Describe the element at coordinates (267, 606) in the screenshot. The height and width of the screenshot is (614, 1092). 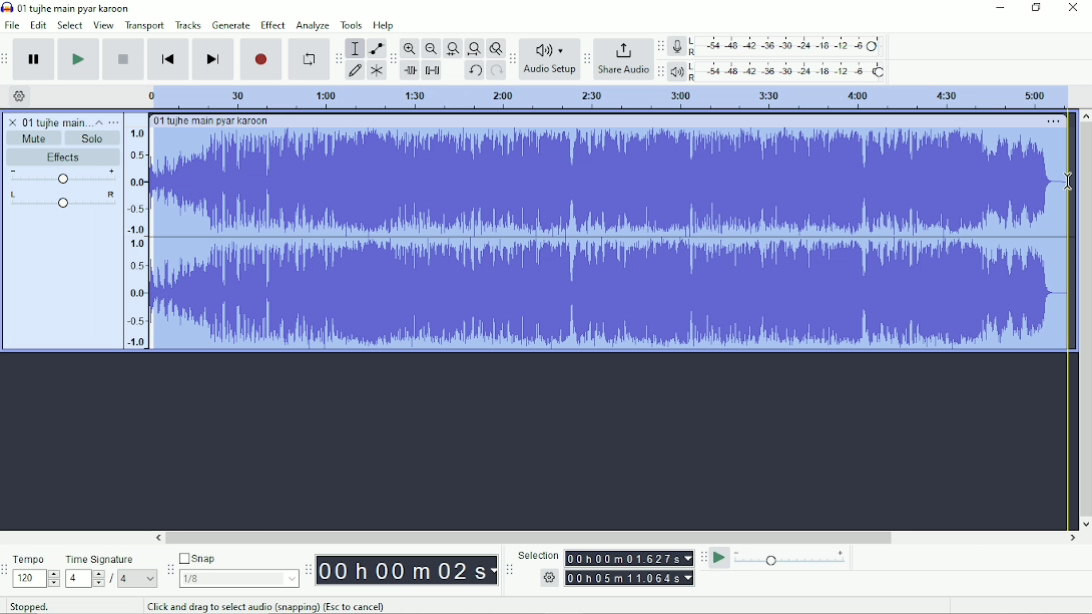
I see `Click and drag to select audio` at that location.